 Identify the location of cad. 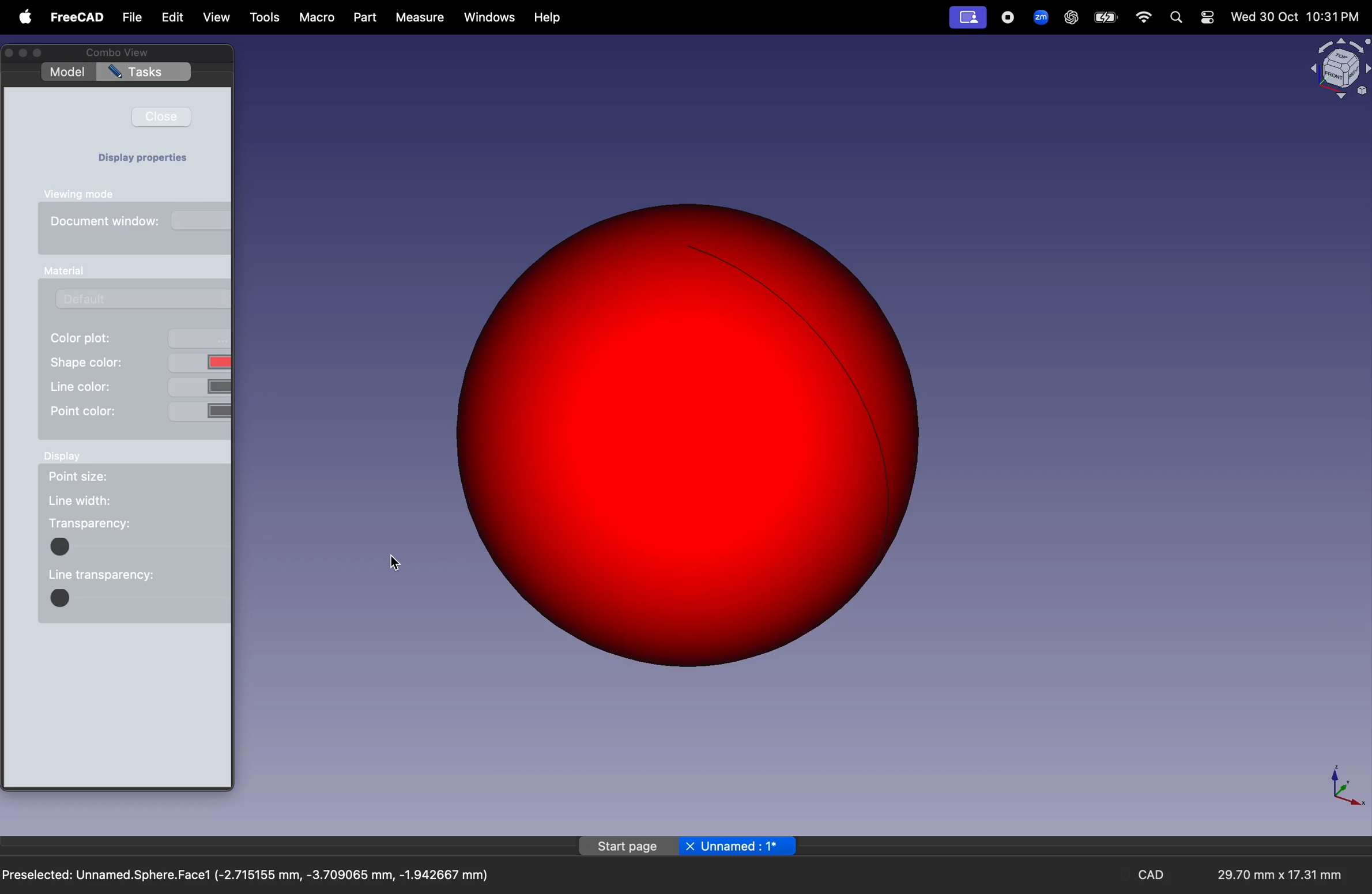
(1155, 875).